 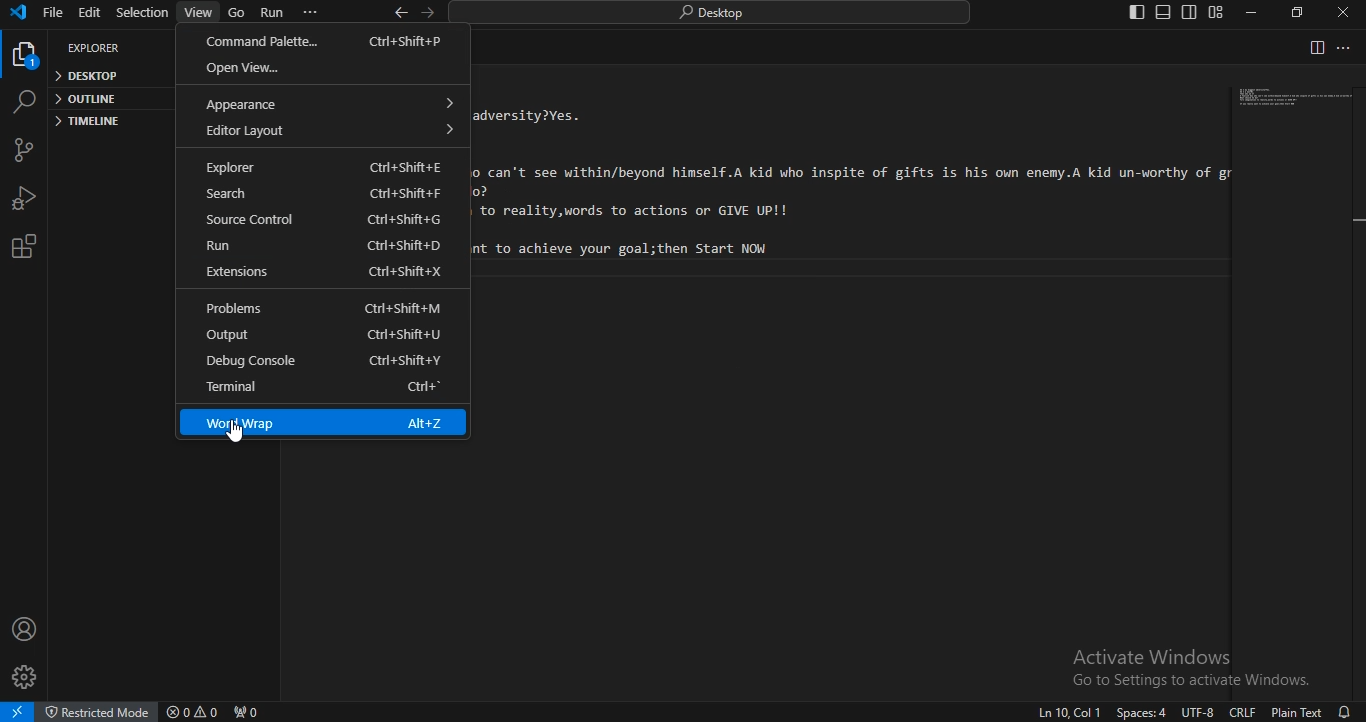 I want to click on no ports forwarded, so click(x=245, y=712).